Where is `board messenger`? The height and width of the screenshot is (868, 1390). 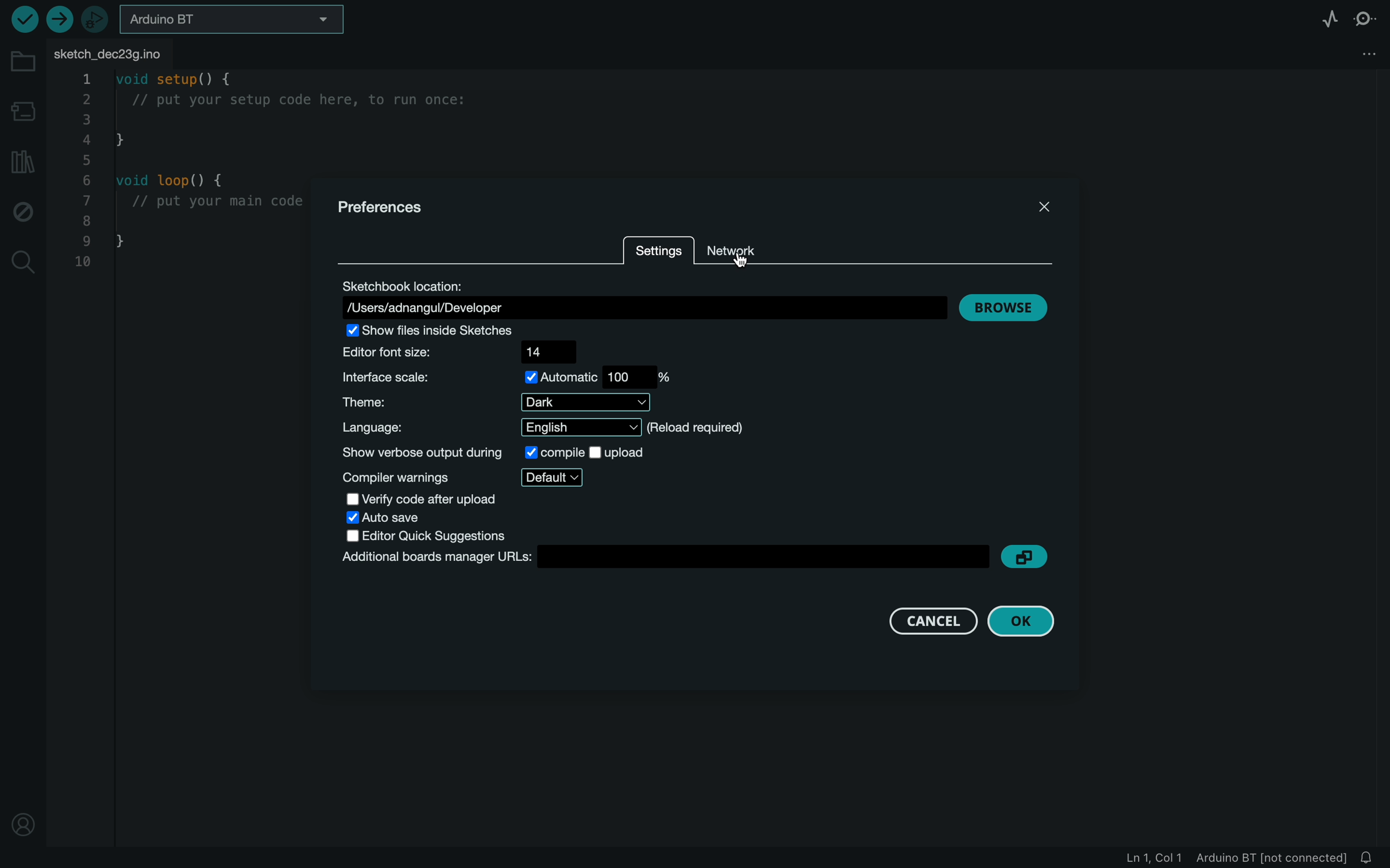 board messenger is located at coordinates (662, 558).